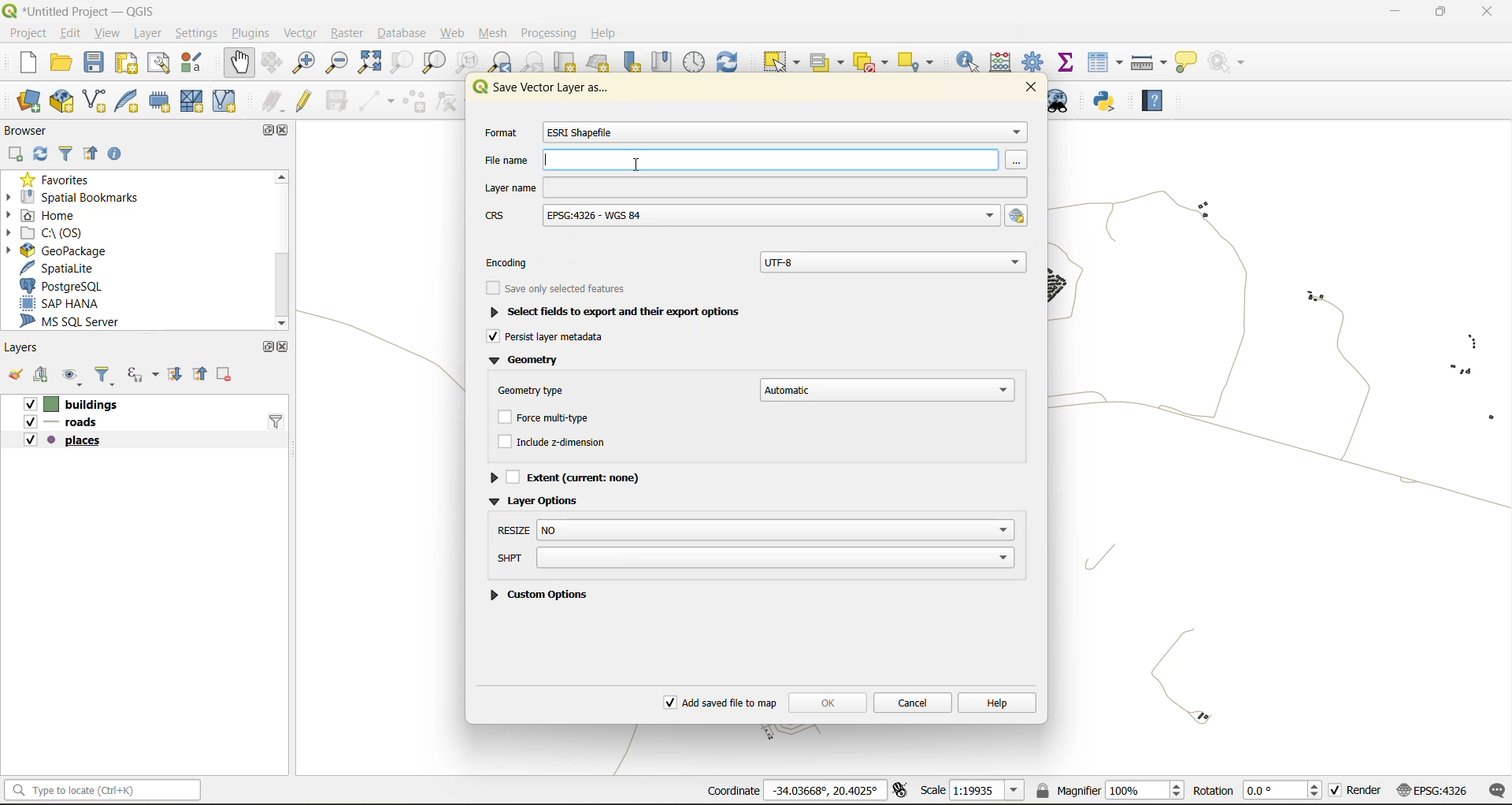  What do you see at coordinates (68, 423) in the screenshot?
I see ` roads` at bounding box center [68, 423].